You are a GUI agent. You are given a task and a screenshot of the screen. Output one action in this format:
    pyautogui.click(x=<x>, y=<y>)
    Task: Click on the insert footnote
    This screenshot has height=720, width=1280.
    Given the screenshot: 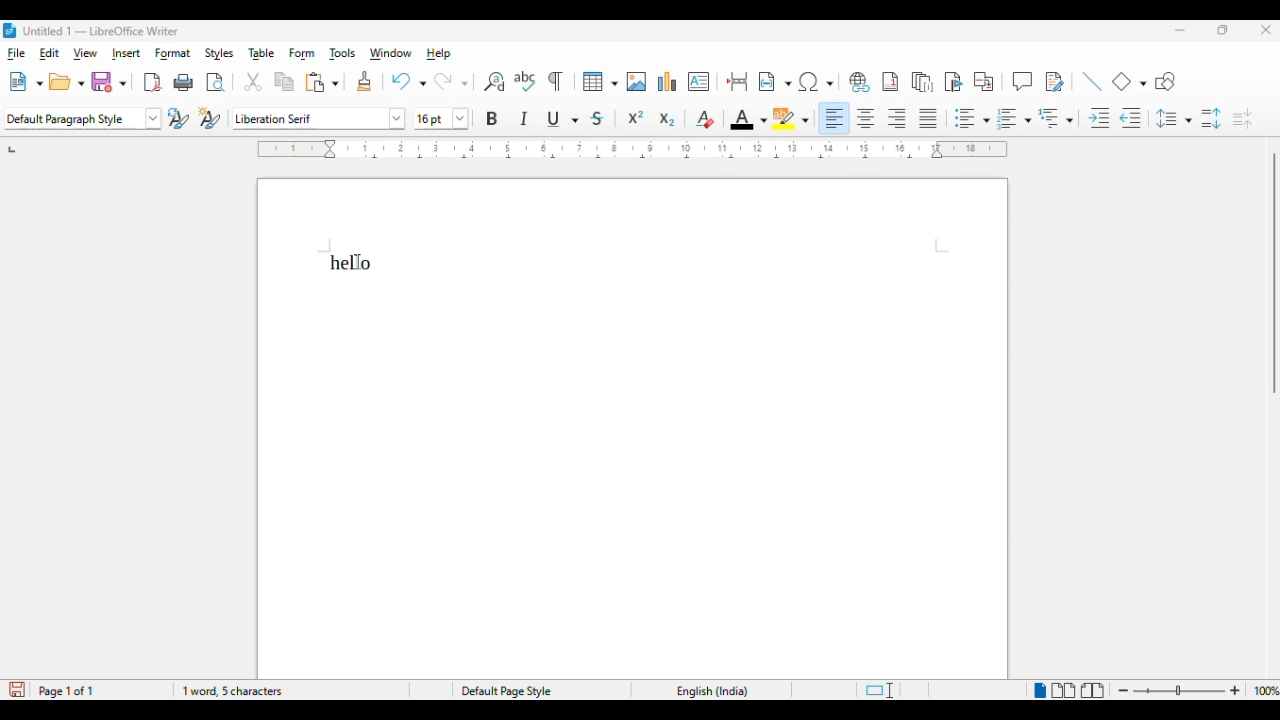 What is the action you would take?
    pyautogui.click(x=890, y=82)
    